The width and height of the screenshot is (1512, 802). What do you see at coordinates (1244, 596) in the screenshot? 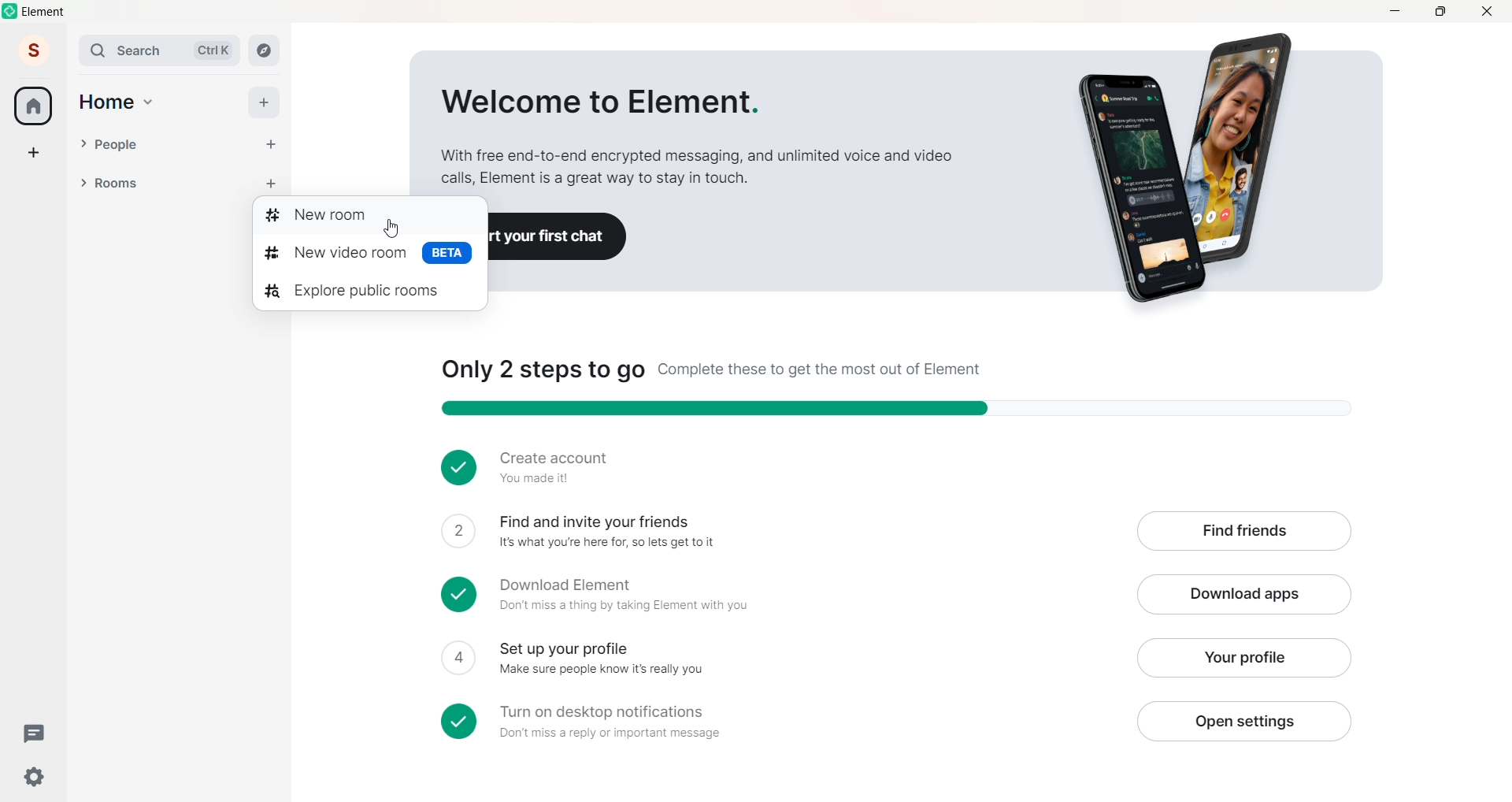
I see `Download APp` at bounding box center [1244, 596].